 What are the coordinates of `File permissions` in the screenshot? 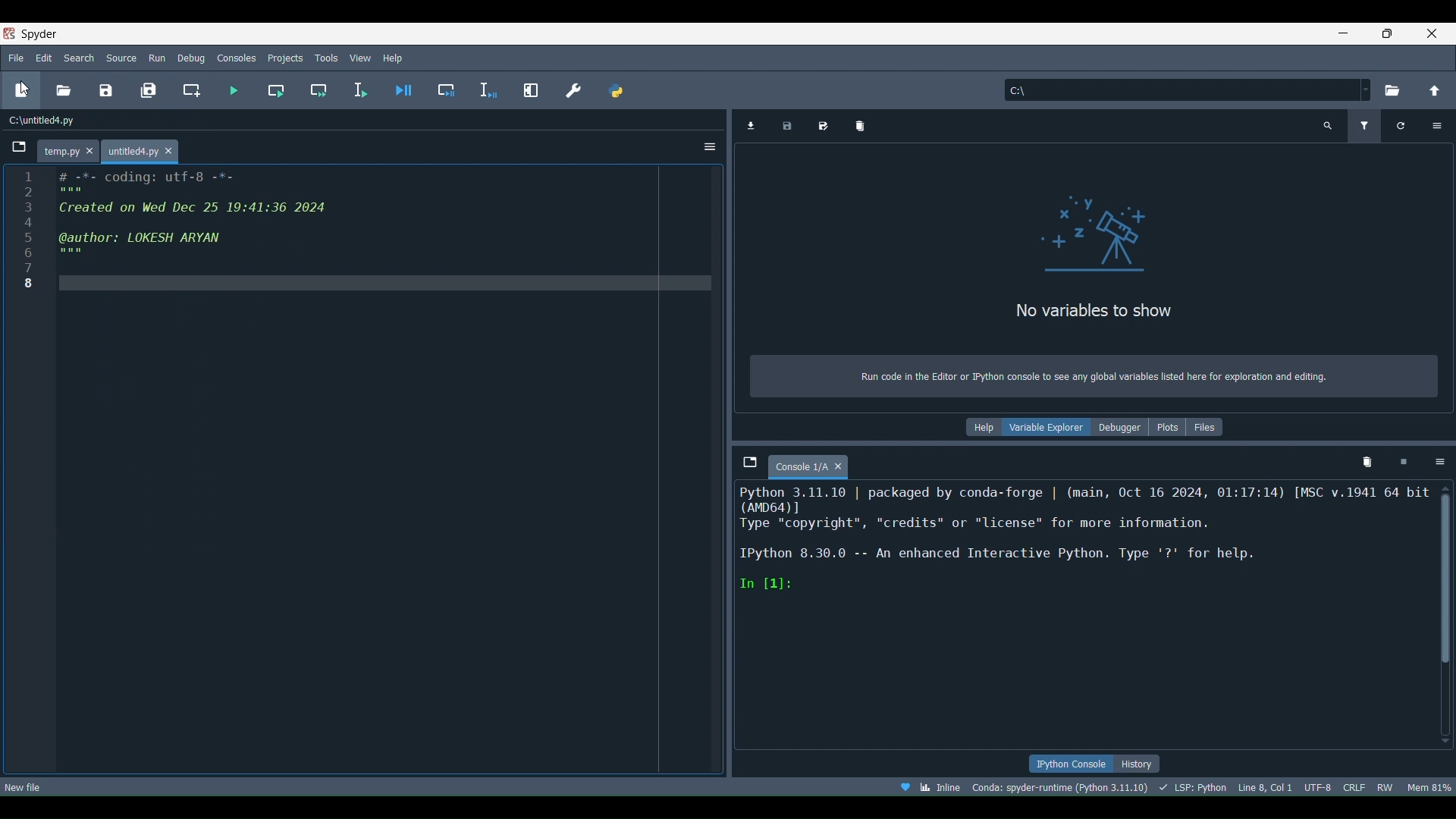 It's located at (1384, 786).